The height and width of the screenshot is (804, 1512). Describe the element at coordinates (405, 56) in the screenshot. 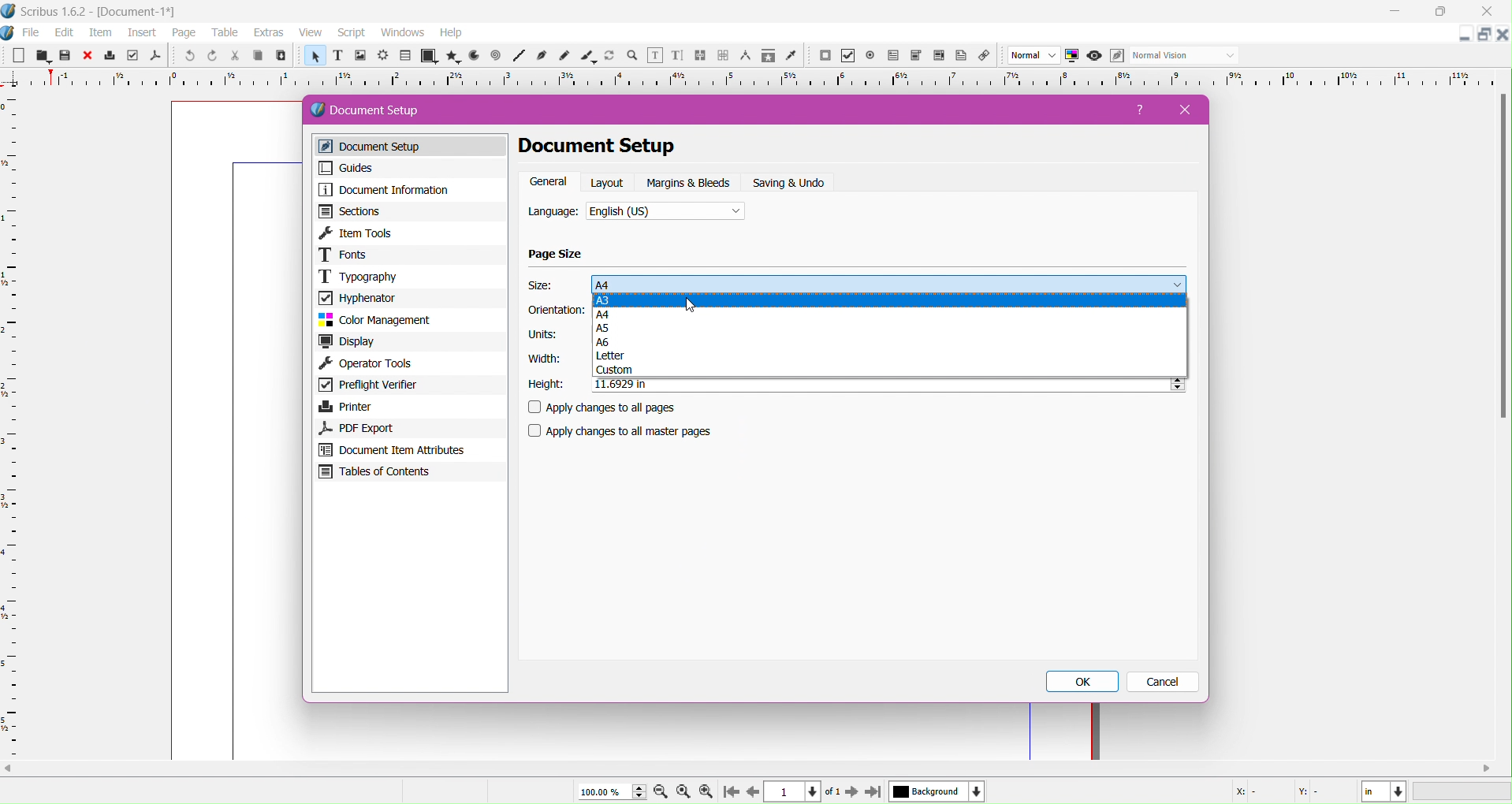

I see `table` at that location.